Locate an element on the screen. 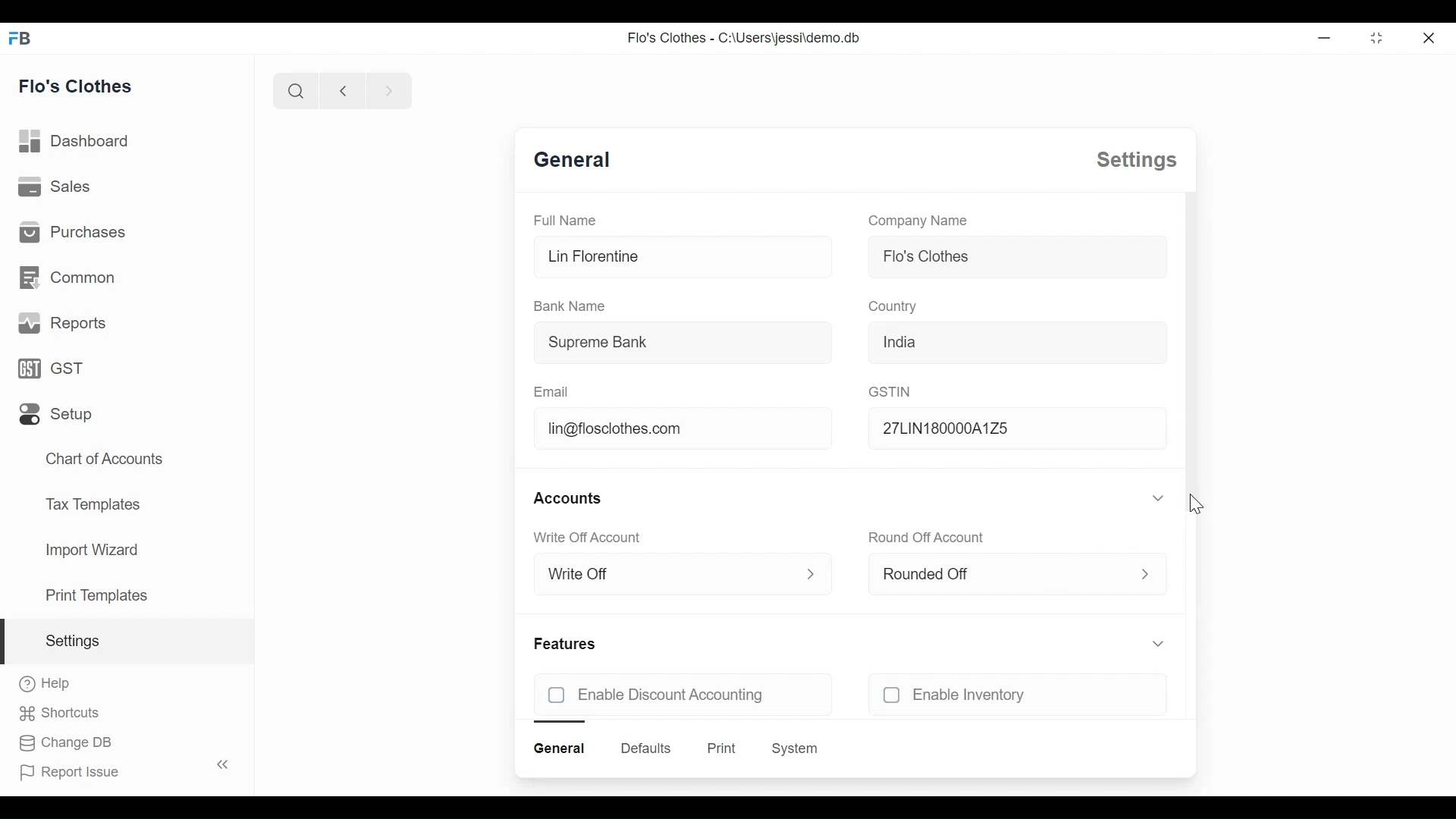 This screenshot has width=1456, height=819. Round Off Account is located at coordinates (928, 538).